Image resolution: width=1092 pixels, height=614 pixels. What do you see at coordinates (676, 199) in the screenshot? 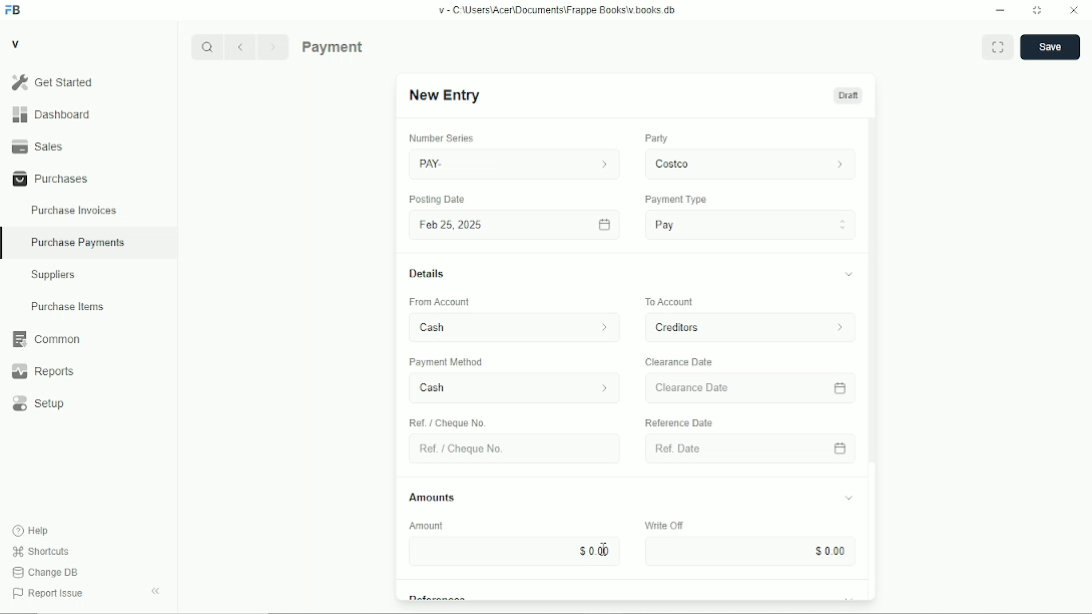
I see `Payment Type` at bounding box center [676, 199].